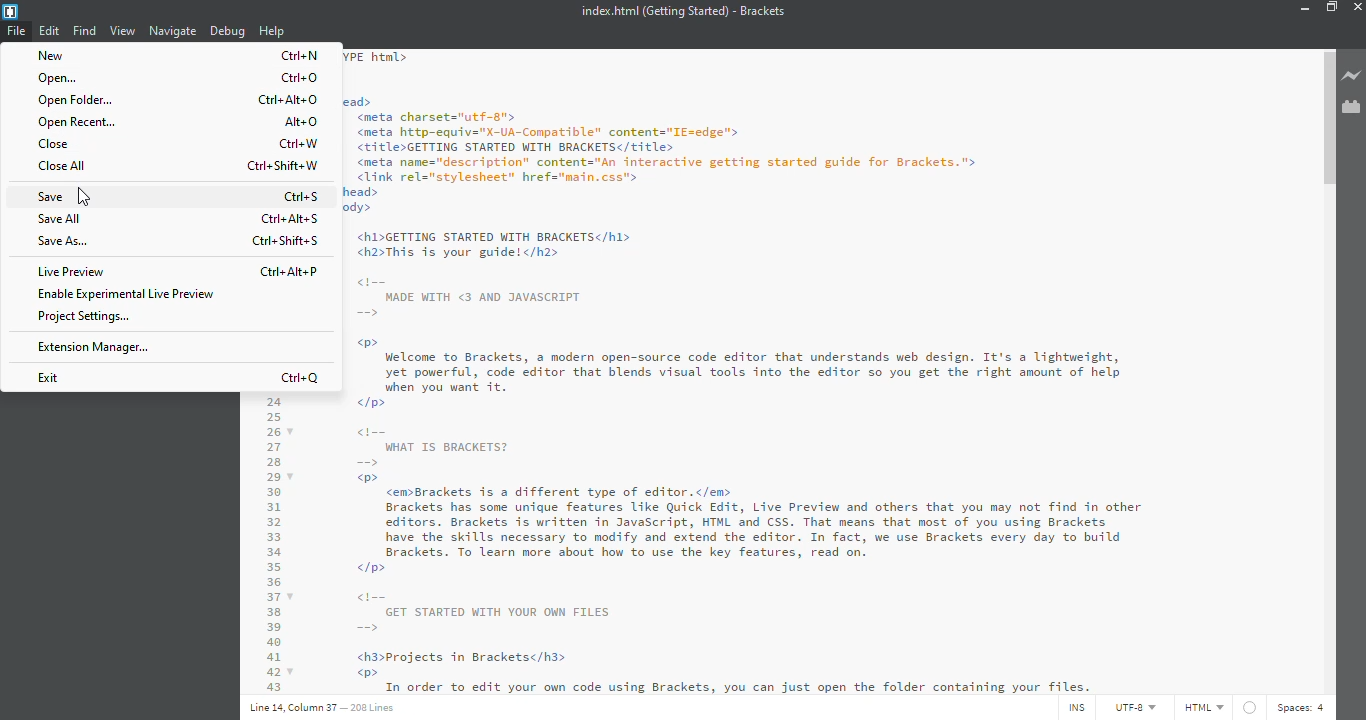  What do you see at coordinates (74, 242) in the screenshot?
I see `save as` at bounding box center [74, 242].